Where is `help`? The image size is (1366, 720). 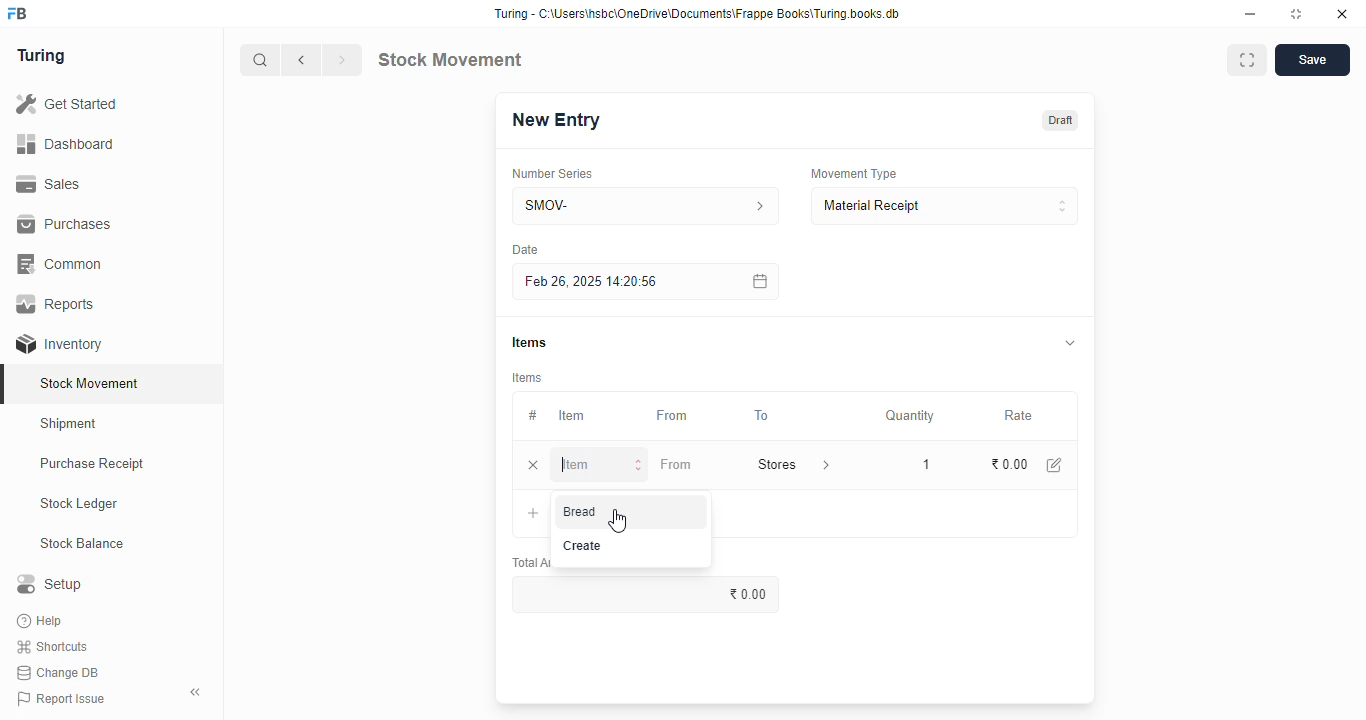
help is located at coordinates (42, 621).